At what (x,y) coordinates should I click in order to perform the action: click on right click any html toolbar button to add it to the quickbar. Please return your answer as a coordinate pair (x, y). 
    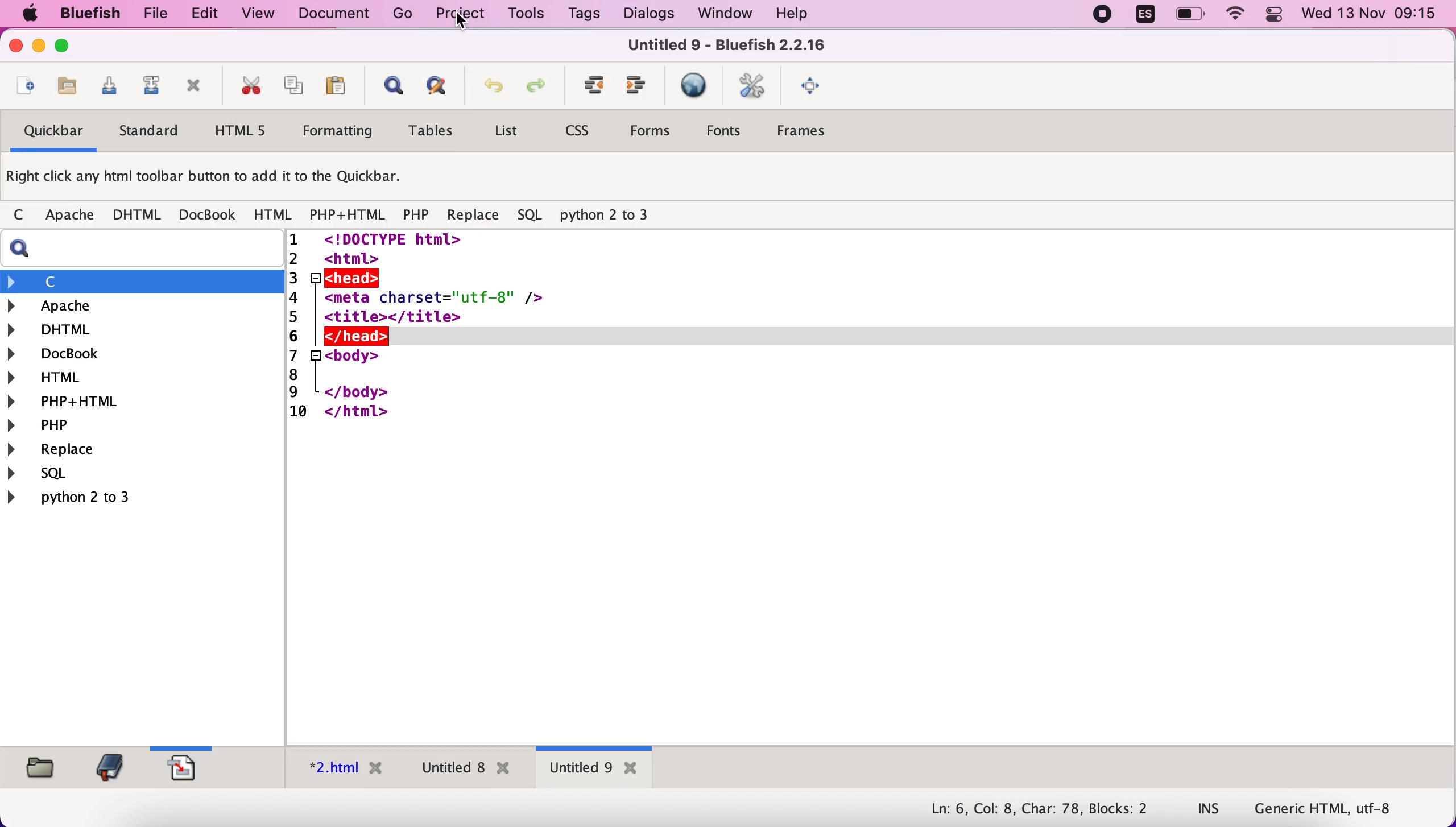
    Looking at the image, I should click on (211, 180).